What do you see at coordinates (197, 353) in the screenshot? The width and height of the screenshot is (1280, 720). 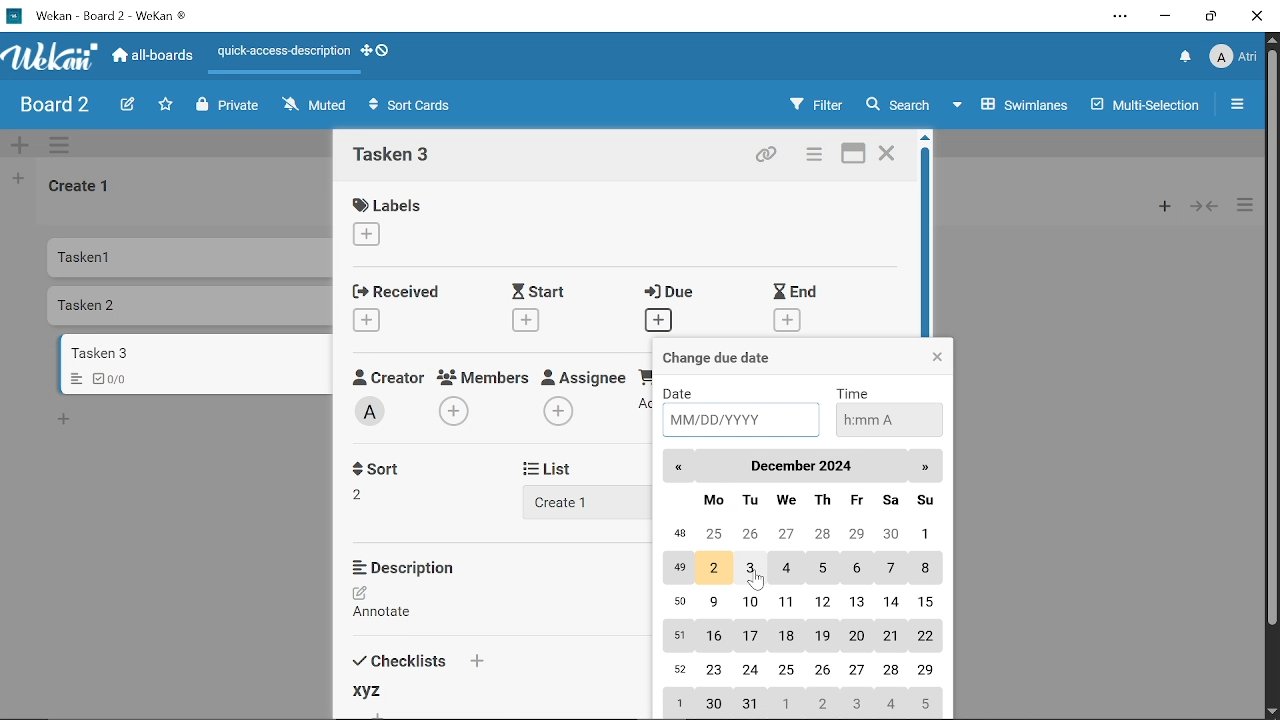 I see `Card titled "Tasken 3"` at bounding box center [197, 353].